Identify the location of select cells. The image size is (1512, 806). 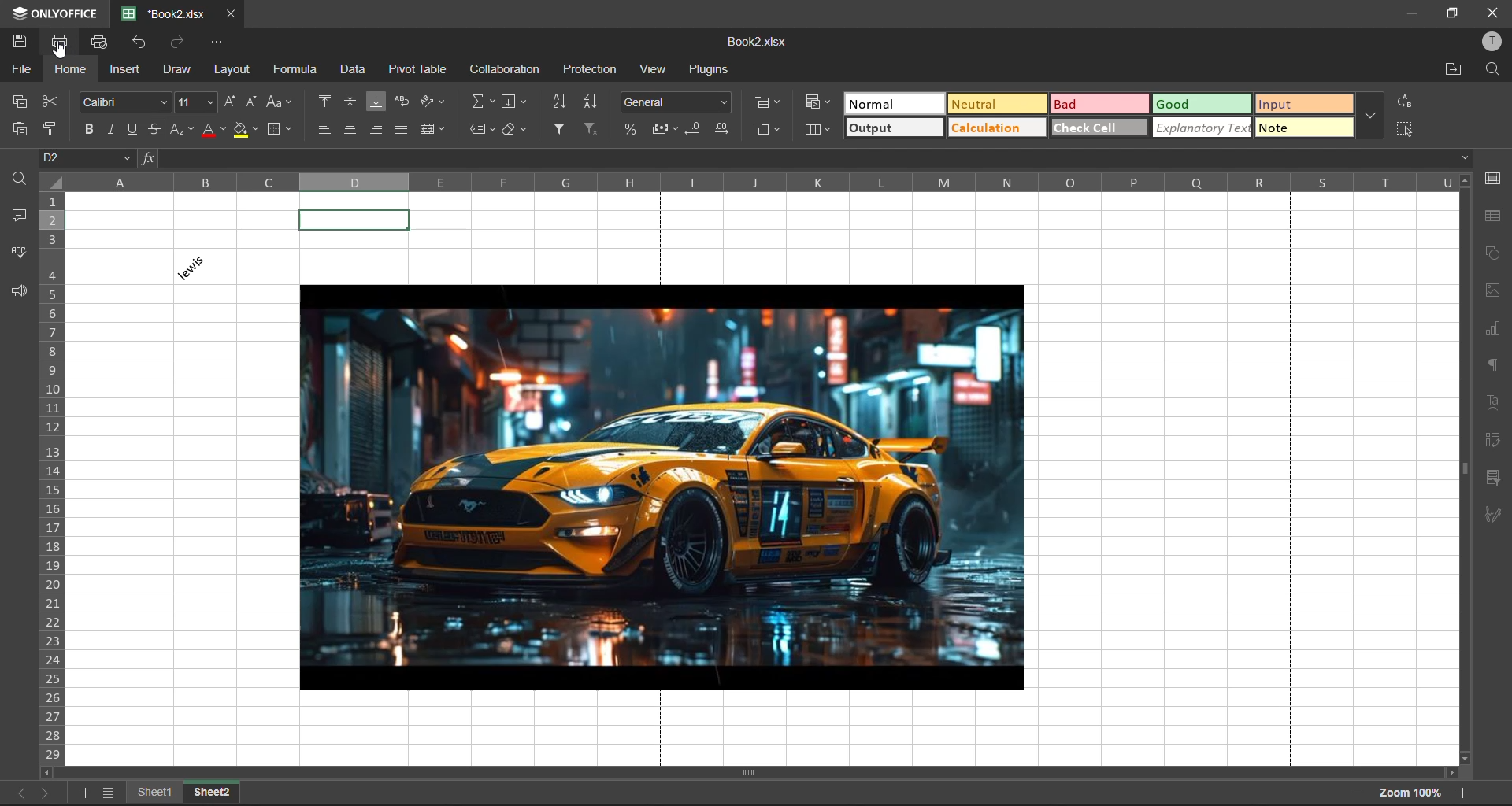
(1402, 128).